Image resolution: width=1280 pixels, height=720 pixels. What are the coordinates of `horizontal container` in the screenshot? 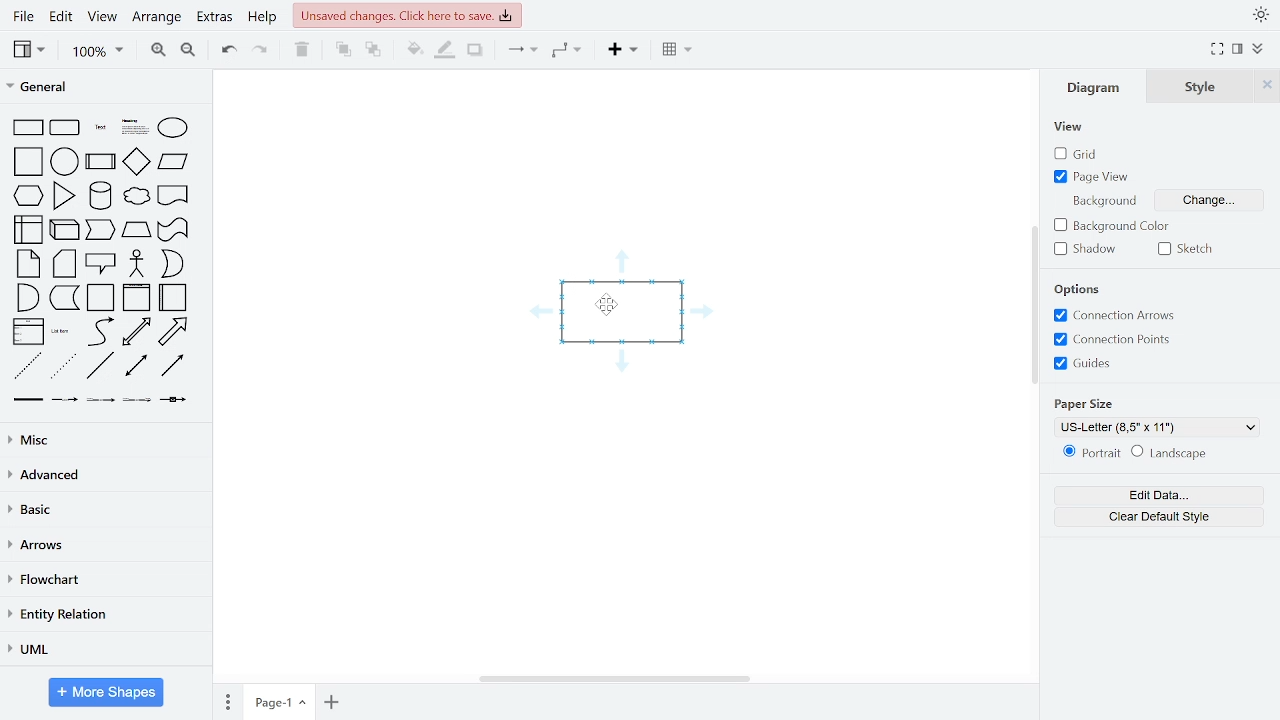 It's located at (174, 298).